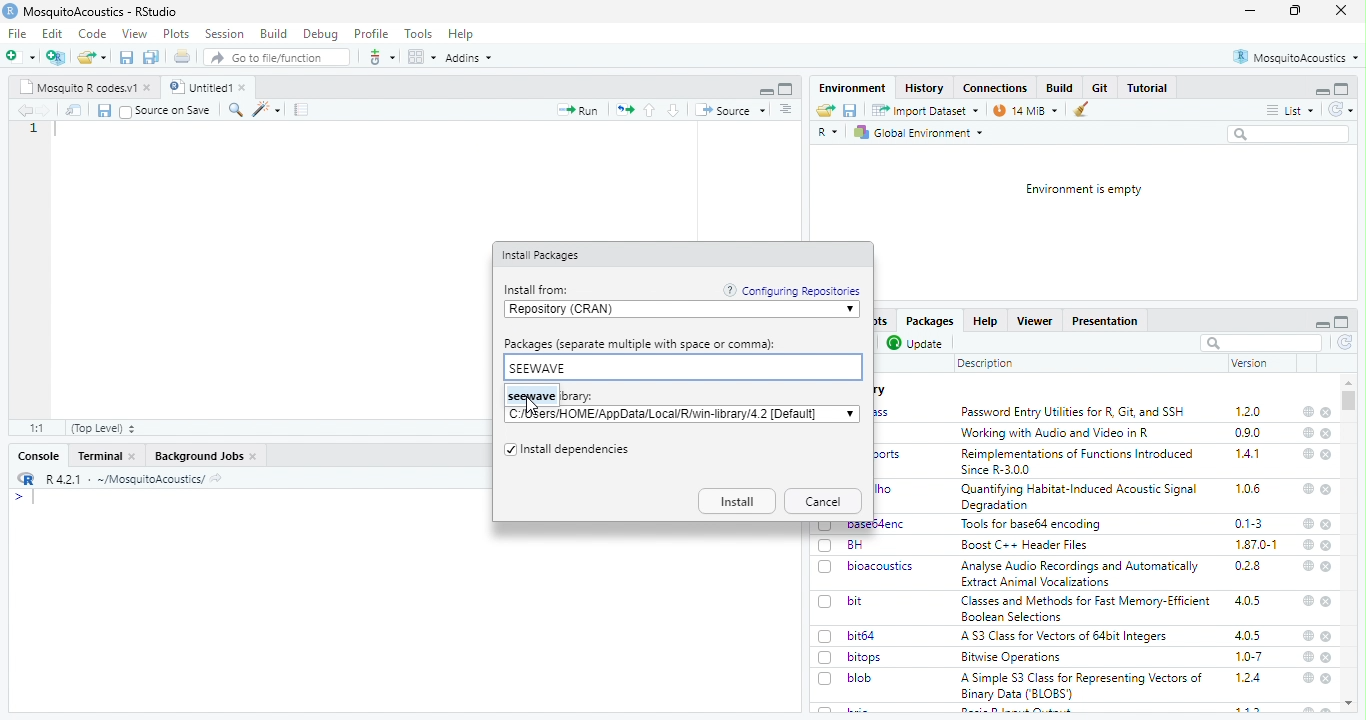 The image size is (1366, 720). Describe the element at coordinates (1075, 110) in the screenshot. I see `clean` at that location.